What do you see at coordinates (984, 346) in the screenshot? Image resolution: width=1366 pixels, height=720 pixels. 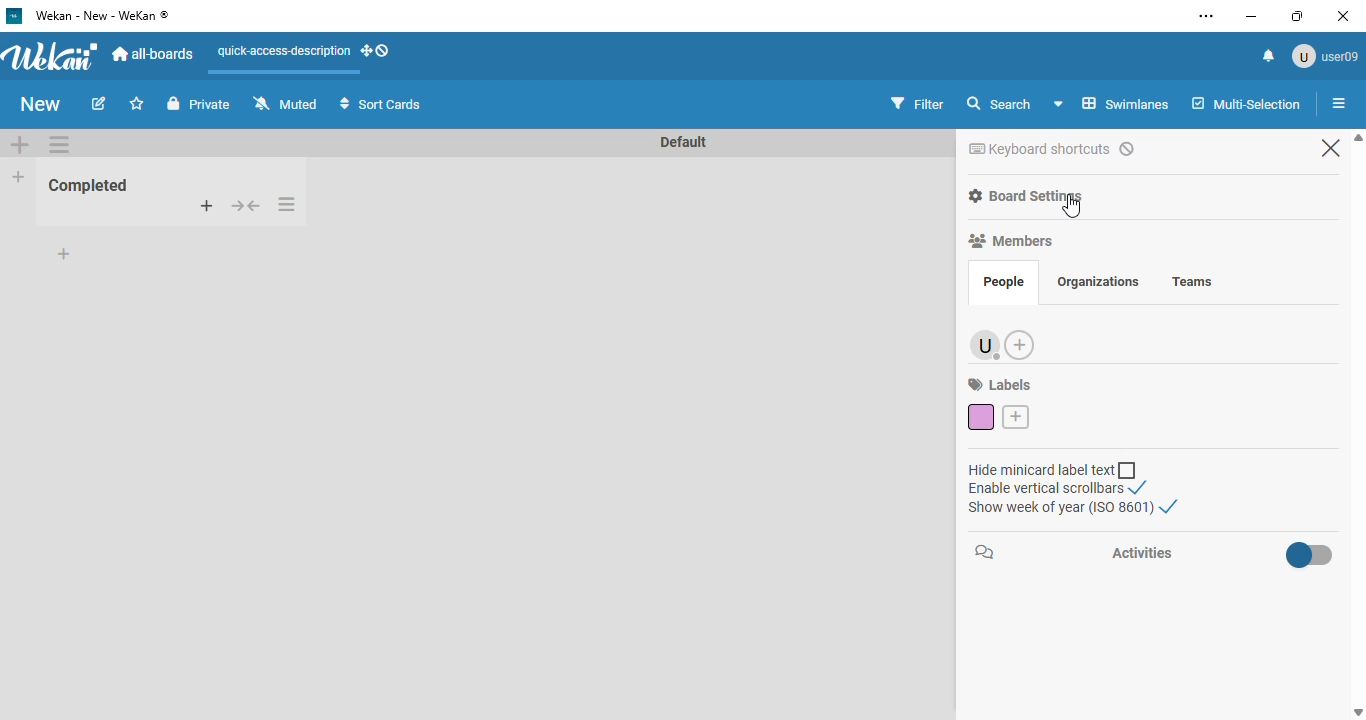 I see `user` at bounding box center [984, 346].